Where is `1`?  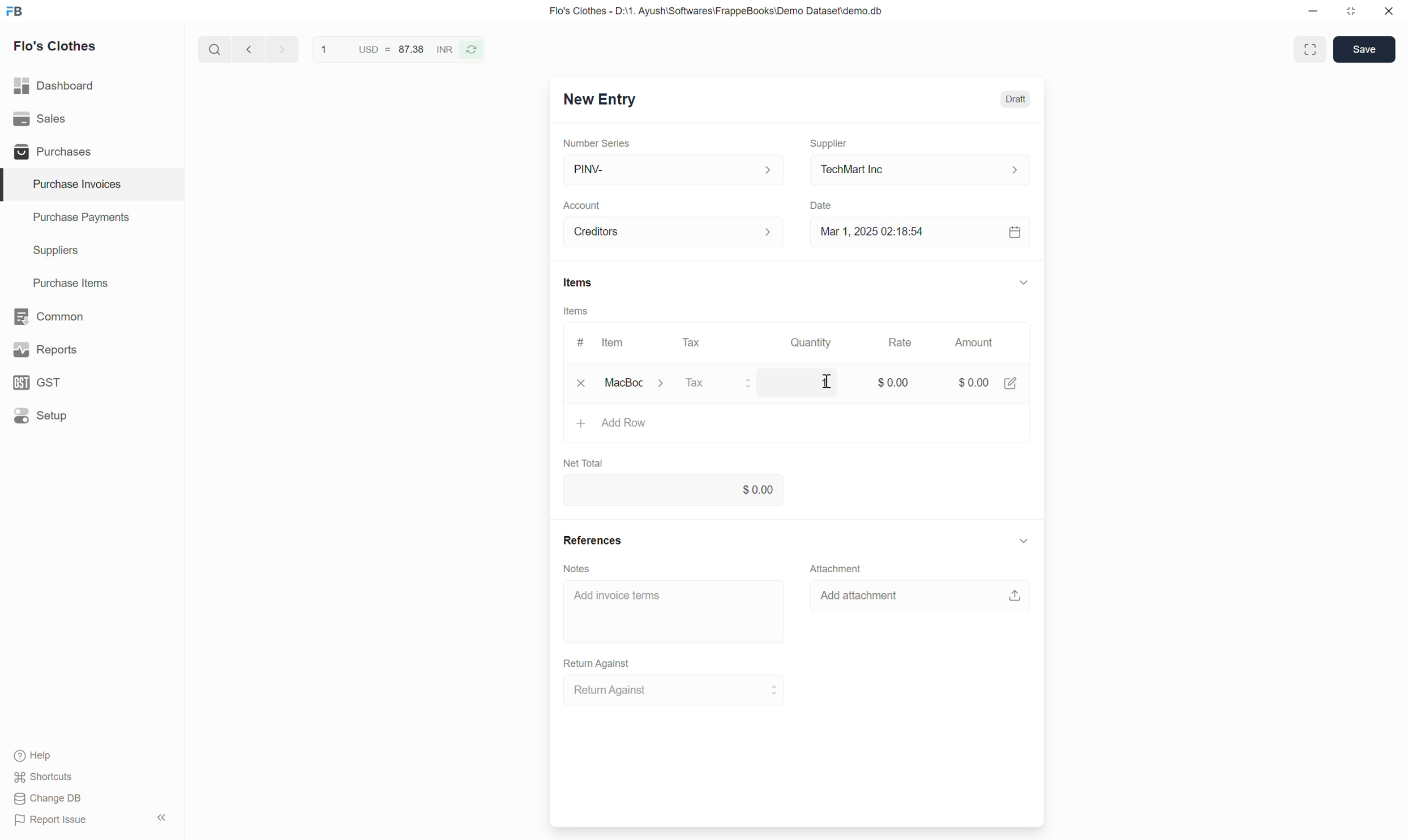 1 is located at coordinates (821, 380).